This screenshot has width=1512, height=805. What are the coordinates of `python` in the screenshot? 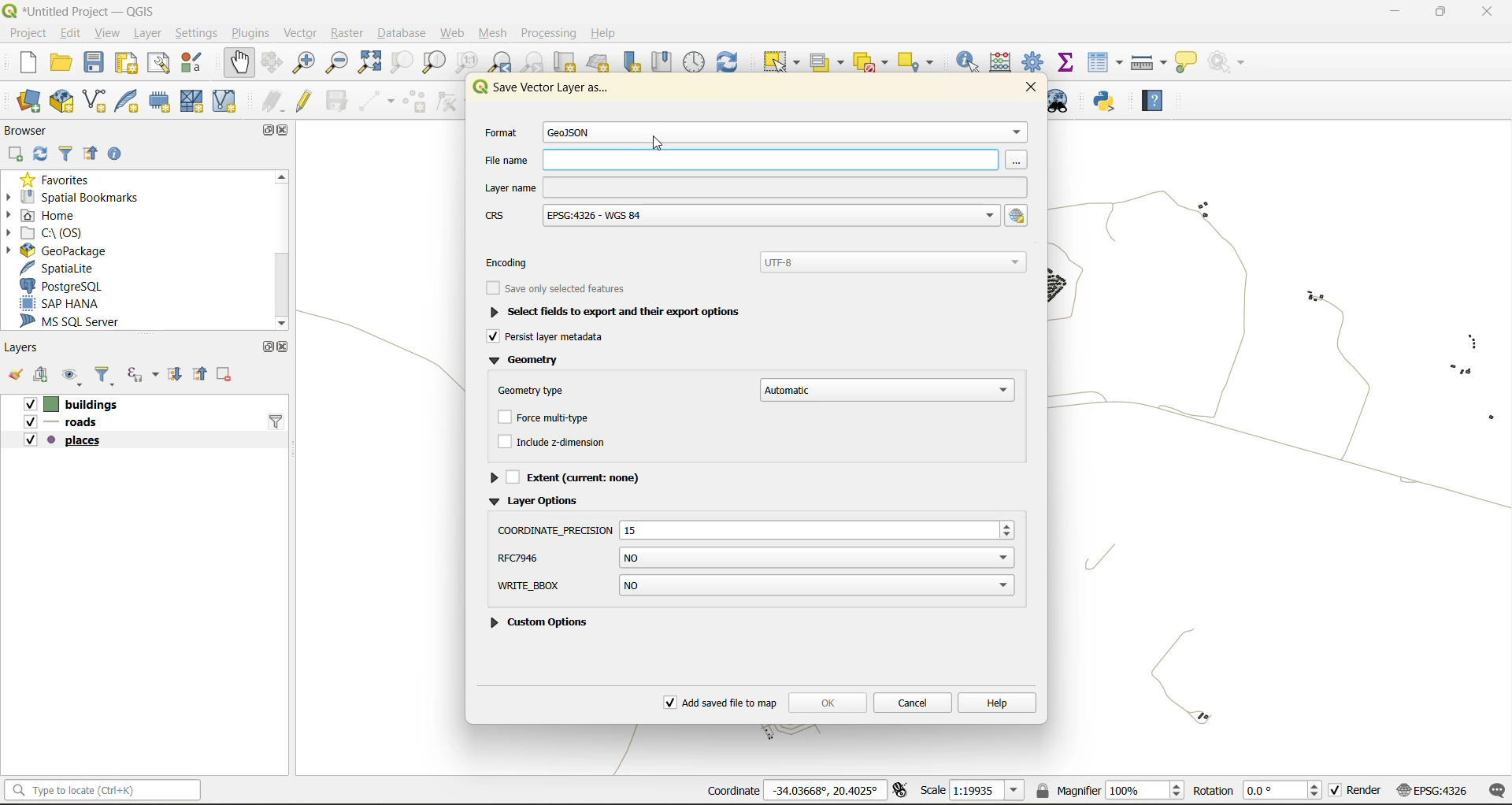 It's located at (1110, 103).